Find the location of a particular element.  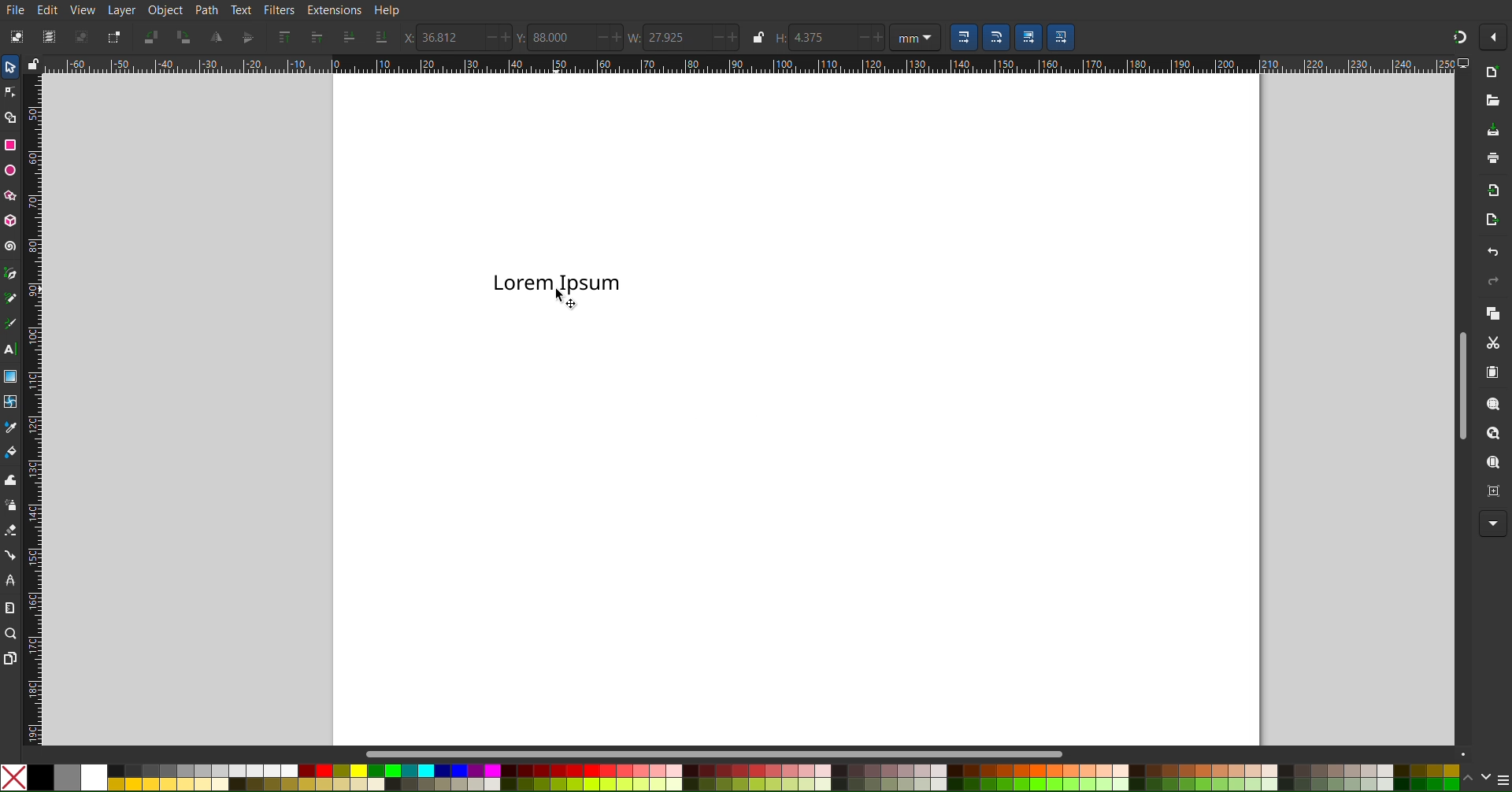

Snapping is located at coordinates (1459, 37).